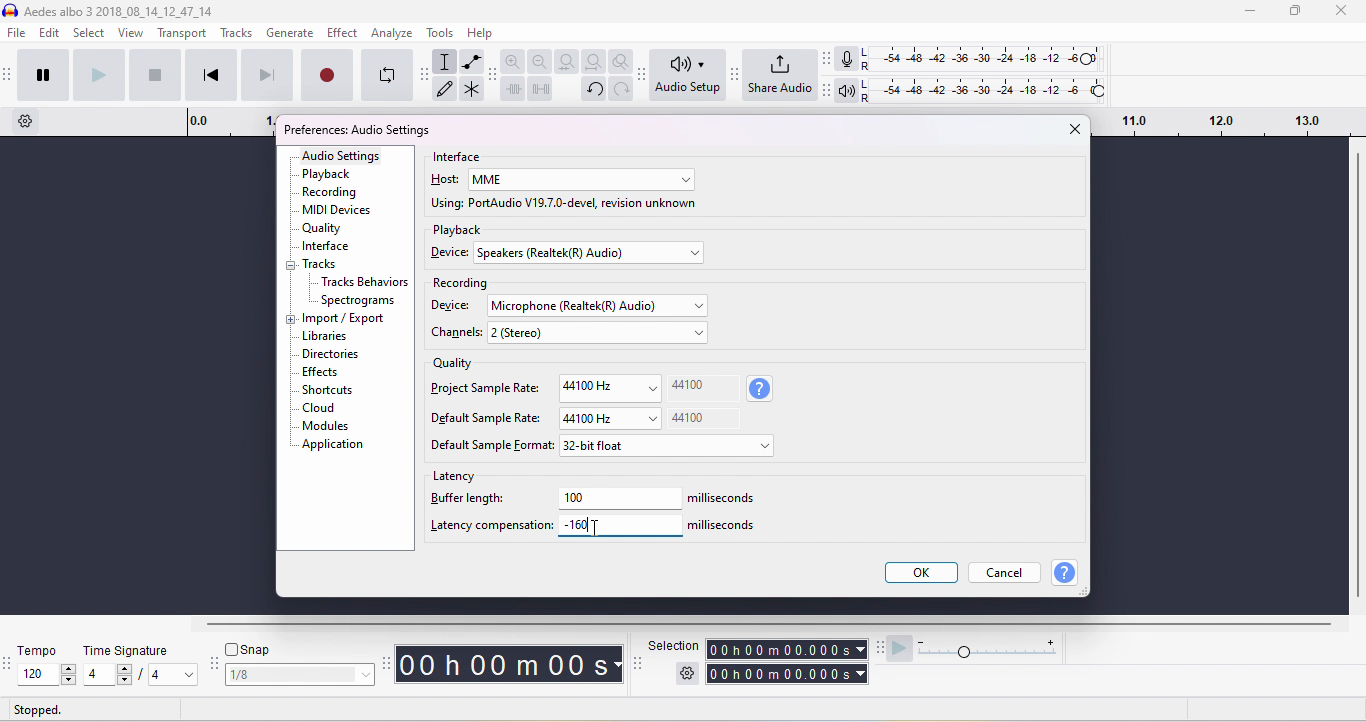 This screenshot has width=1366, height=722. Describe the element at coordinates (322, 372) in the screenshot. I see `effects` at that location.